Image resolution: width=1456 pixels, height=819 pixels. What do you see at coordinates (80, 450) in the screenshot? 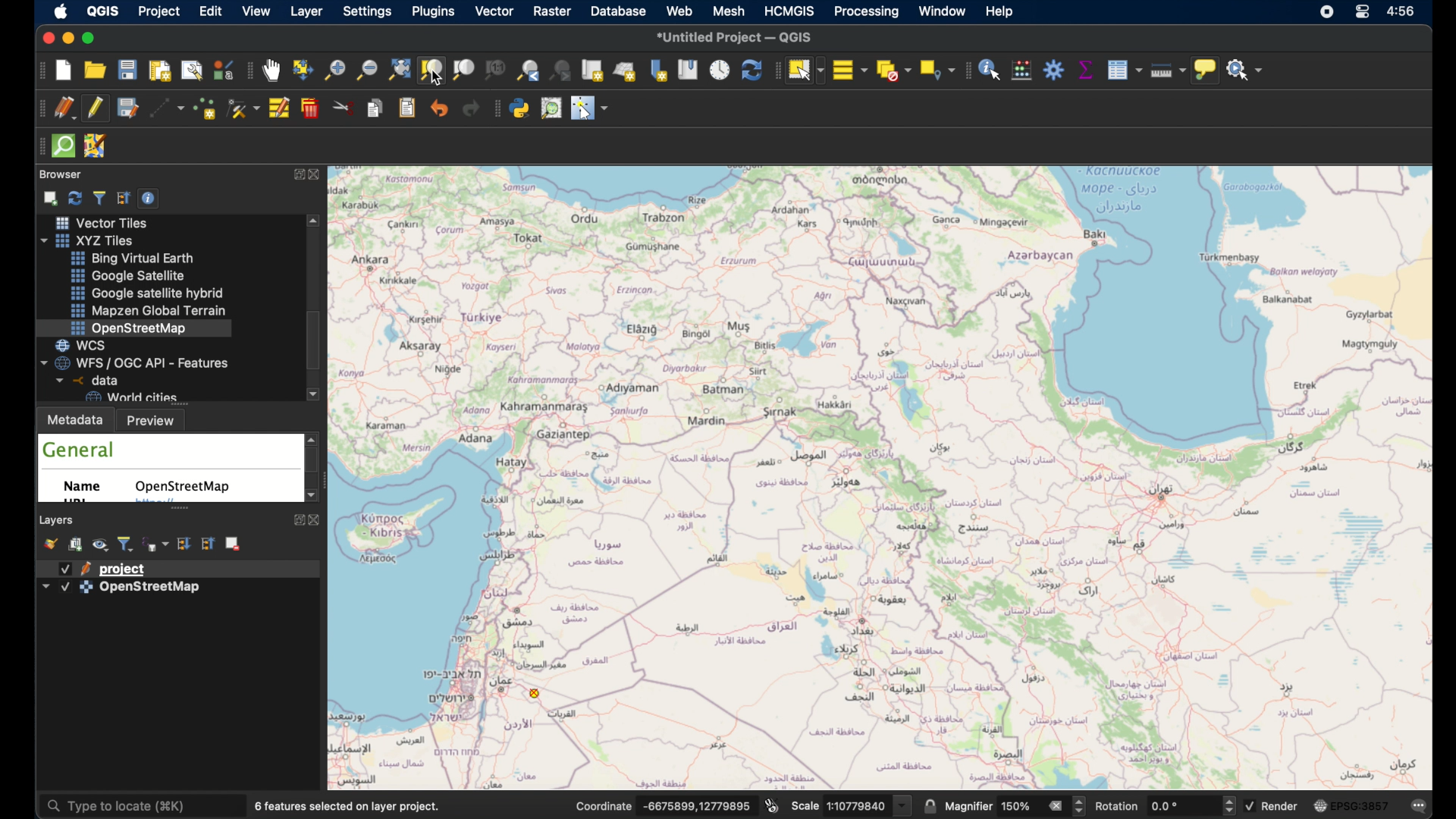
I see `general` at bounding box center [80, 450].